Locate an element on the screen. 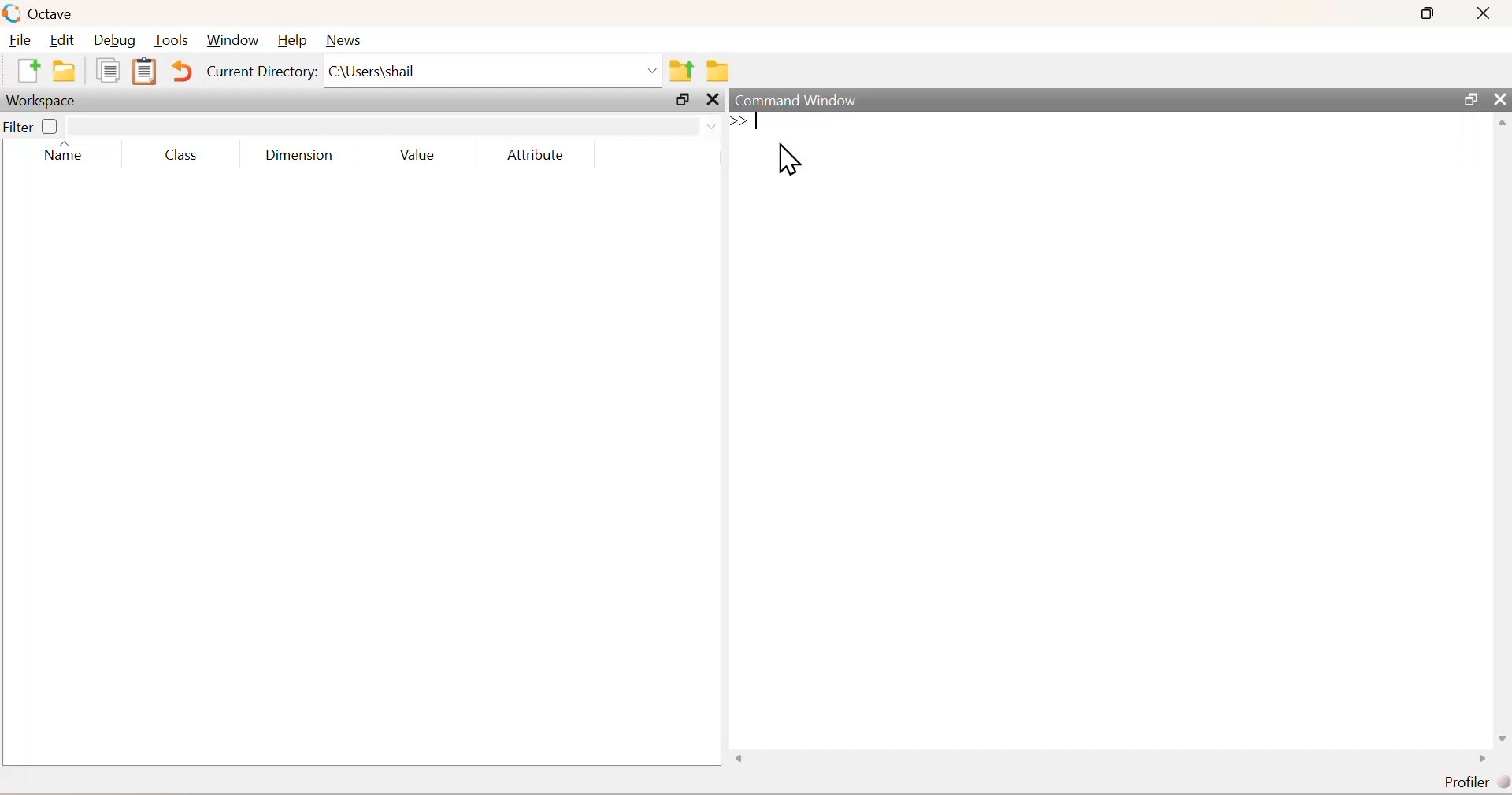  document clipboard is located at coordinates (144, 72).